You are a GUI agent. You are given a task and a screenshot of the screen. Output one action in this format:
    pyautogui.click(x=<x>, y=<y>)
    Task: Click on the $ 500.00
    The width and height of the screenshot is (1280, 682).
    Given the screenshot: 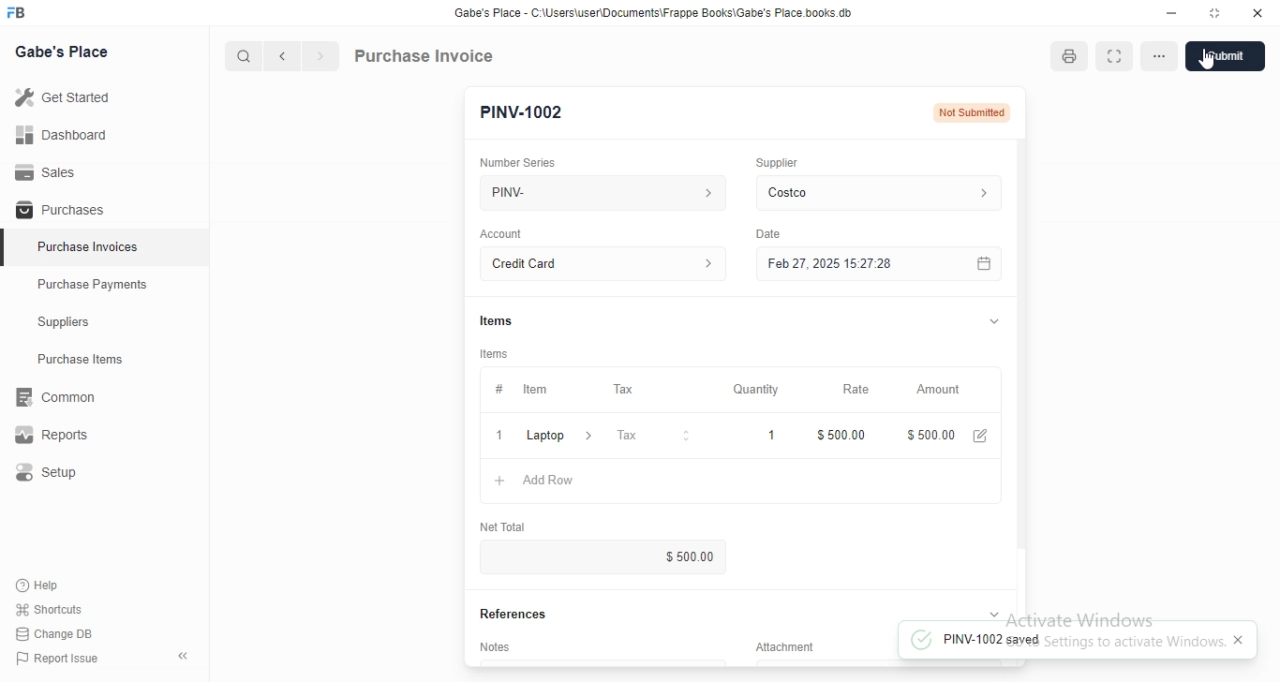 What is the action you would take?
    pyautogui.click(x=841, y=435)
    